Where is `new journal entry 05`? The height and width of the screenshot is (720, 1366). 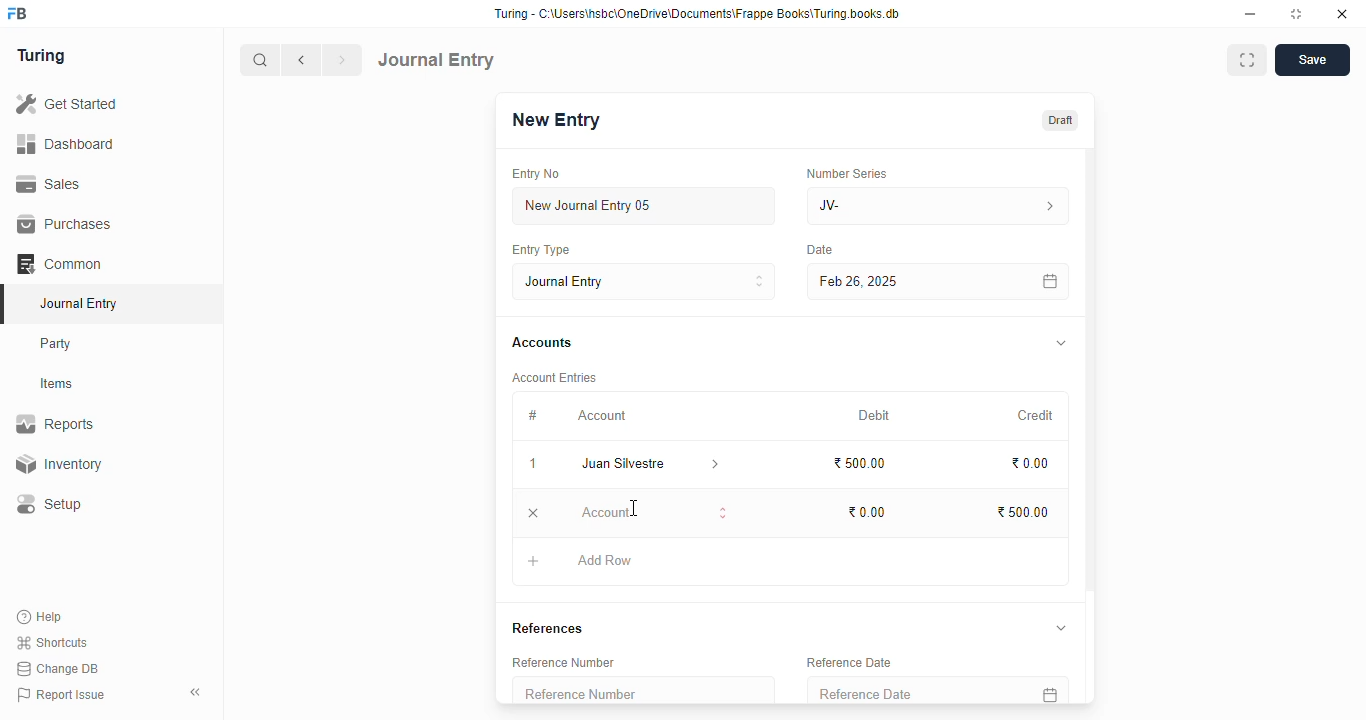 new journal entry 05 is located at coordinates (645, 207).